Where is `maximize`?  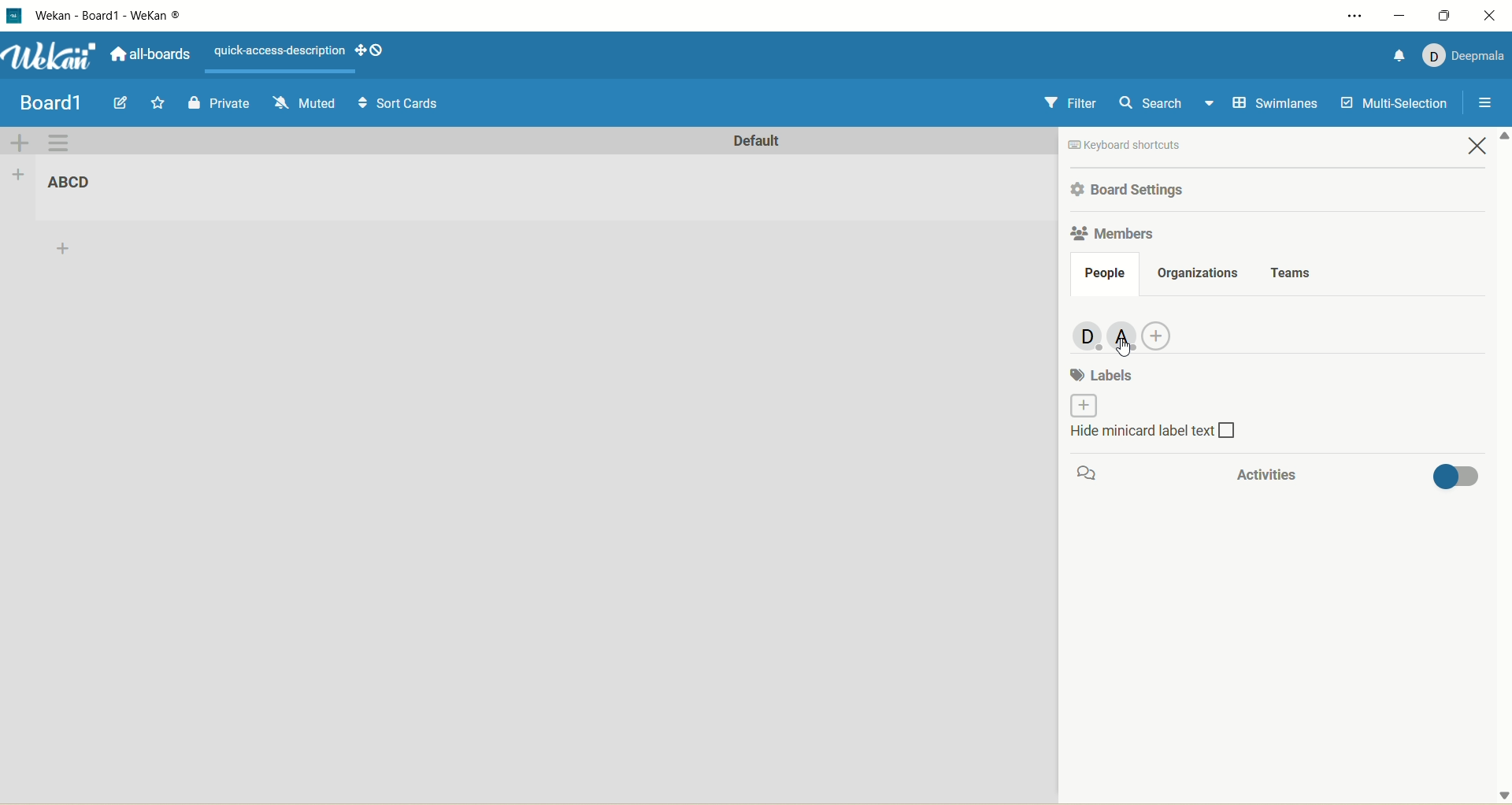 maximize is located at coordinates (1443, 16).